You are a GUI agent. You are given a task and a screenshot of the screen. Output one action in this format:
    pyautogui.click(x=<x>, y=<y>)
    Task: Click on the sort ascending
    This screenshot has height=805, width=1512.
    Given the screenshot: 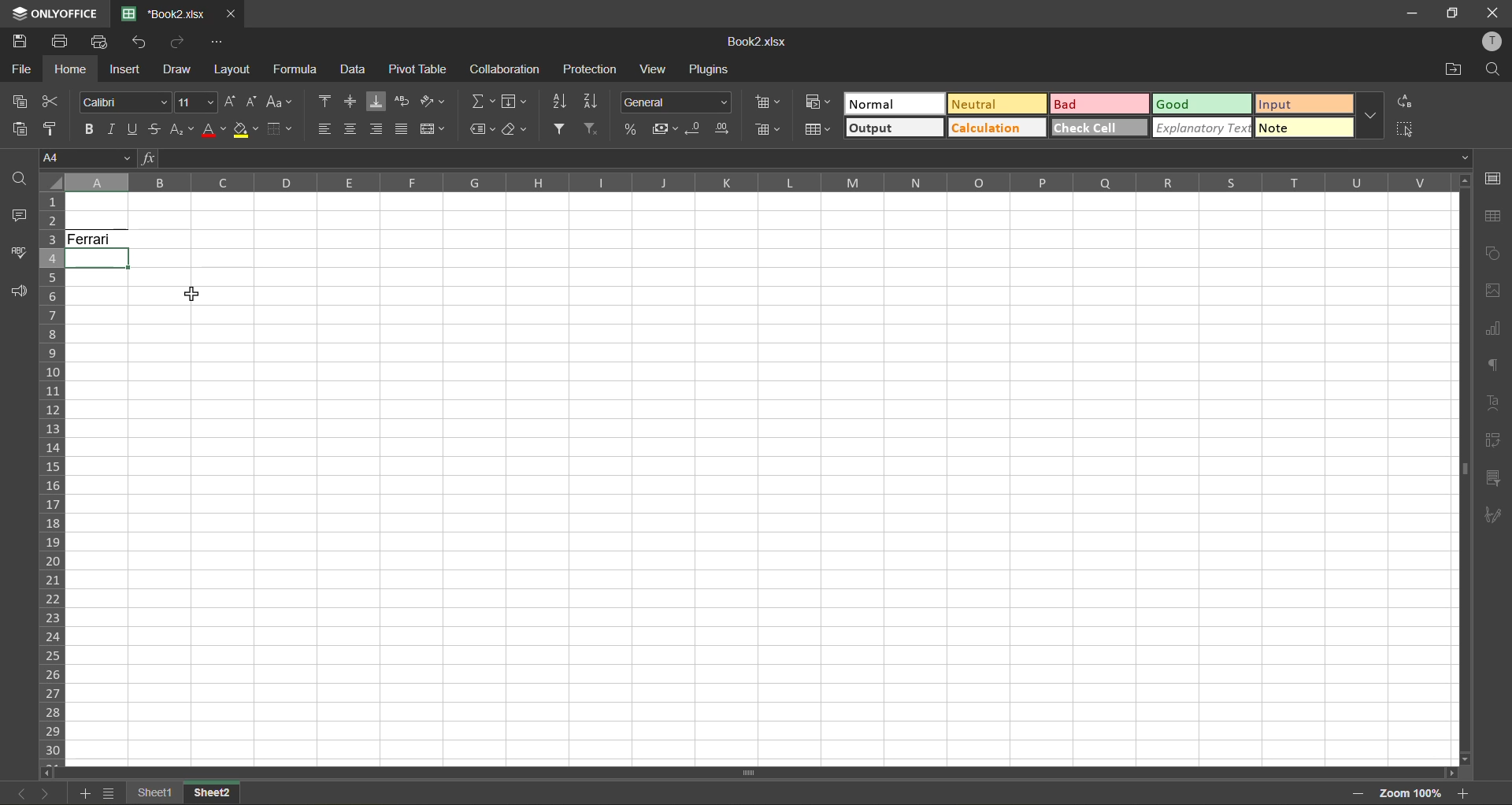 What is the action you would take?
    pyautogui.click(x=560, y=102)
    